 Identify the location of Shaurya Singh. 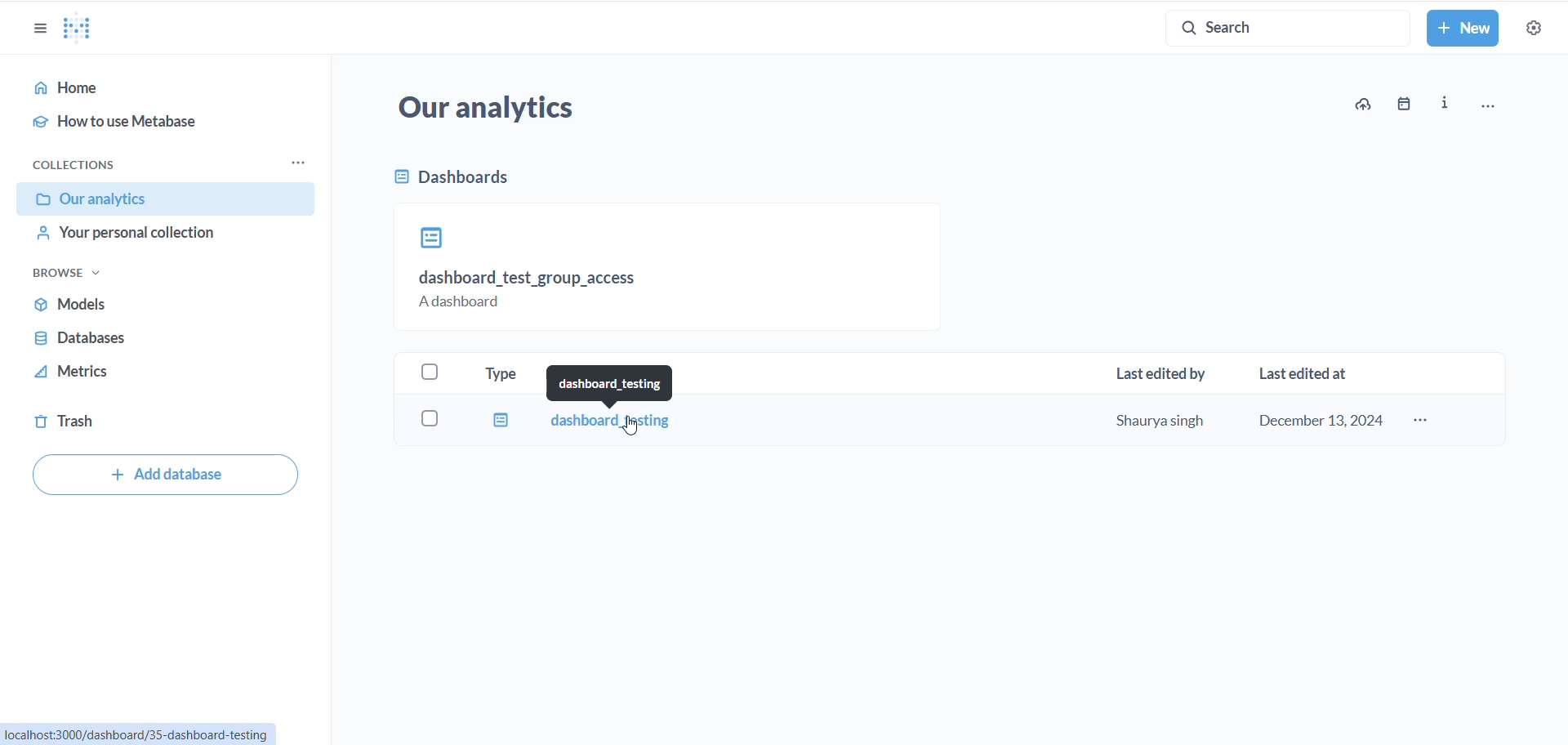
(1159, 418).